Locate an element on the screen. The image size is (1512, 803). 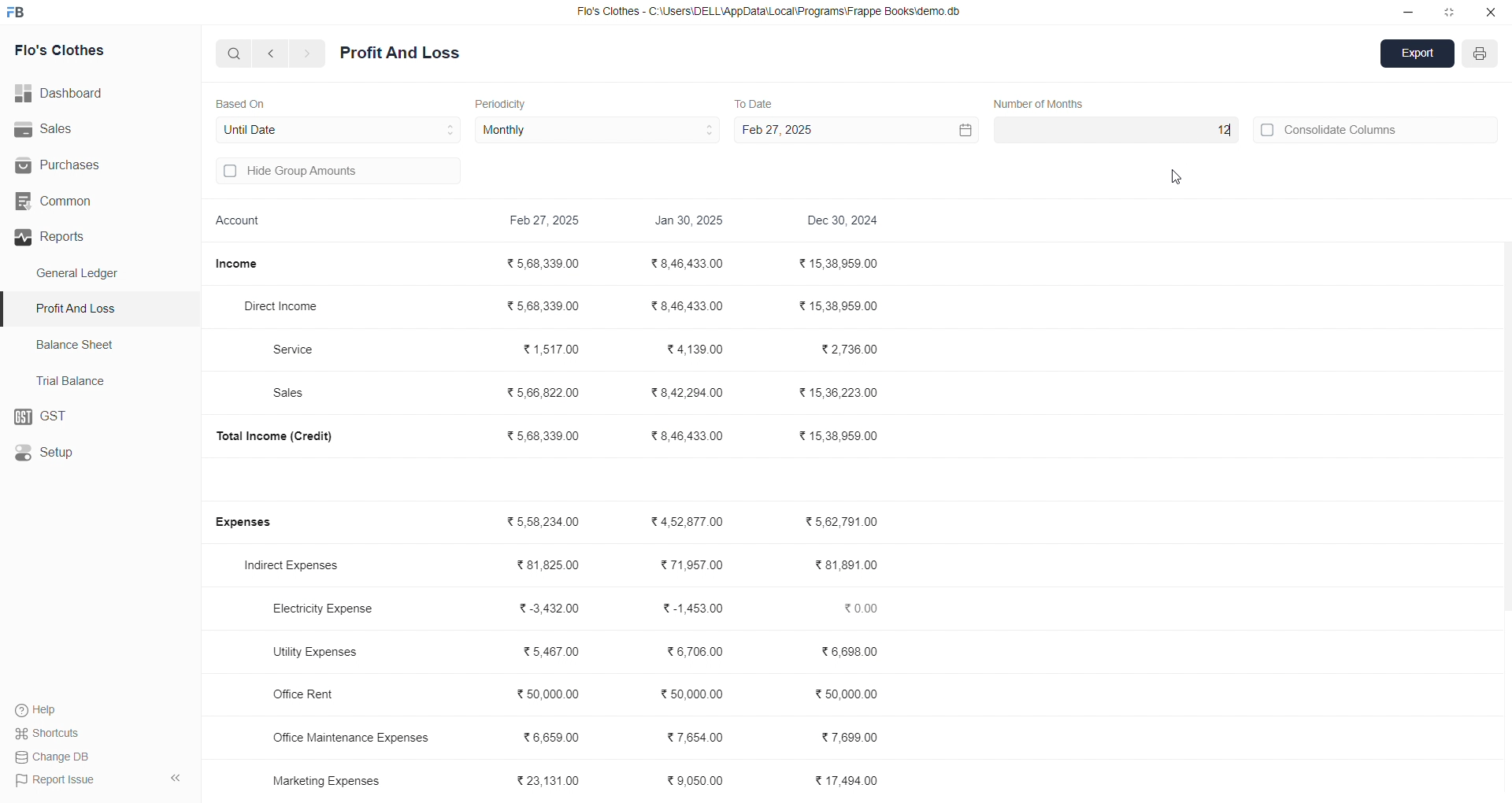
₹6,608.00 is located at coordinates (852, 652).